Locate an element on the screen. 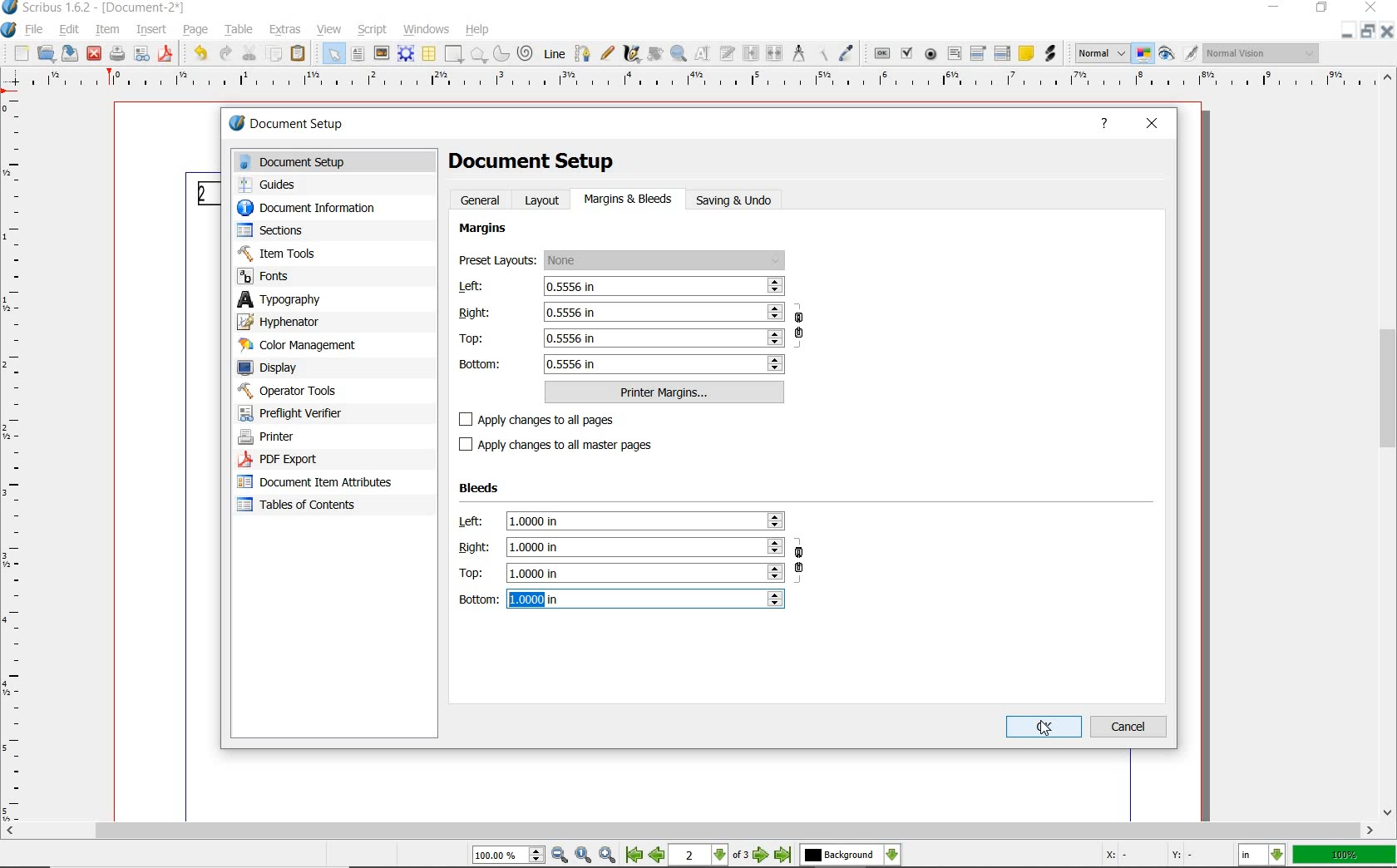 This screenshot has width=1397, height=868. pdf check box is located at coordinates (908, 55).